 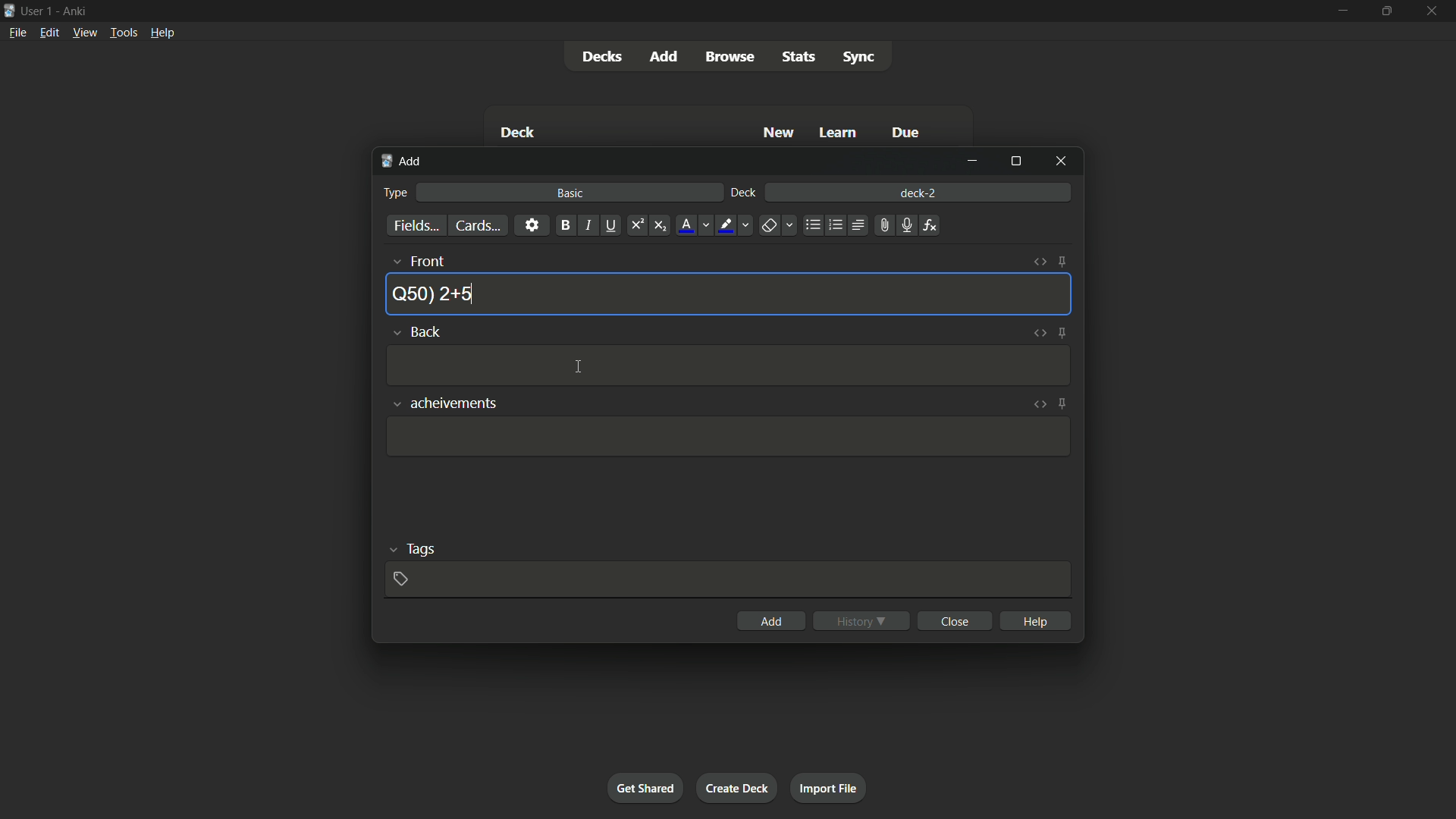 What do you see at coordinates (600, 56) in the screenshot?
I see `decks` at bounding box center [600, 56].